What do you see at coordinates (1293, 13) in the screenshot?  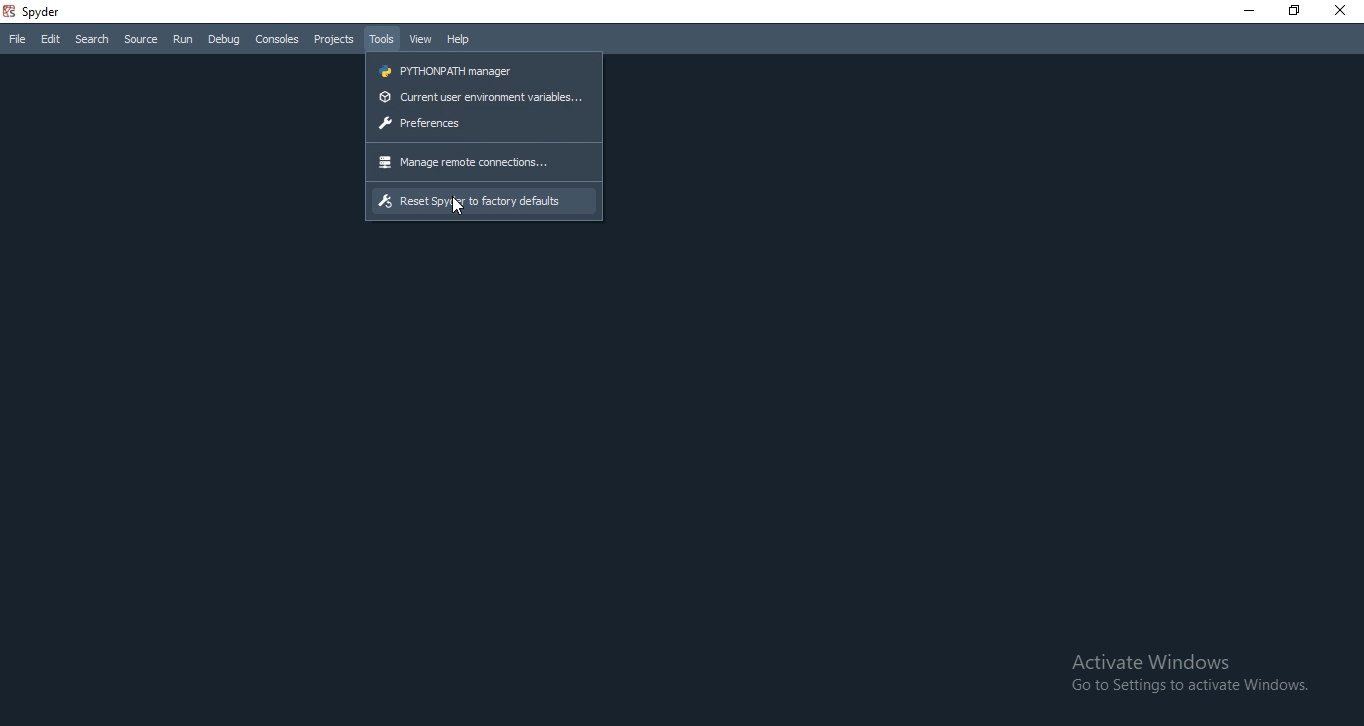 I see `restore` at bounding box center [1293, 13].